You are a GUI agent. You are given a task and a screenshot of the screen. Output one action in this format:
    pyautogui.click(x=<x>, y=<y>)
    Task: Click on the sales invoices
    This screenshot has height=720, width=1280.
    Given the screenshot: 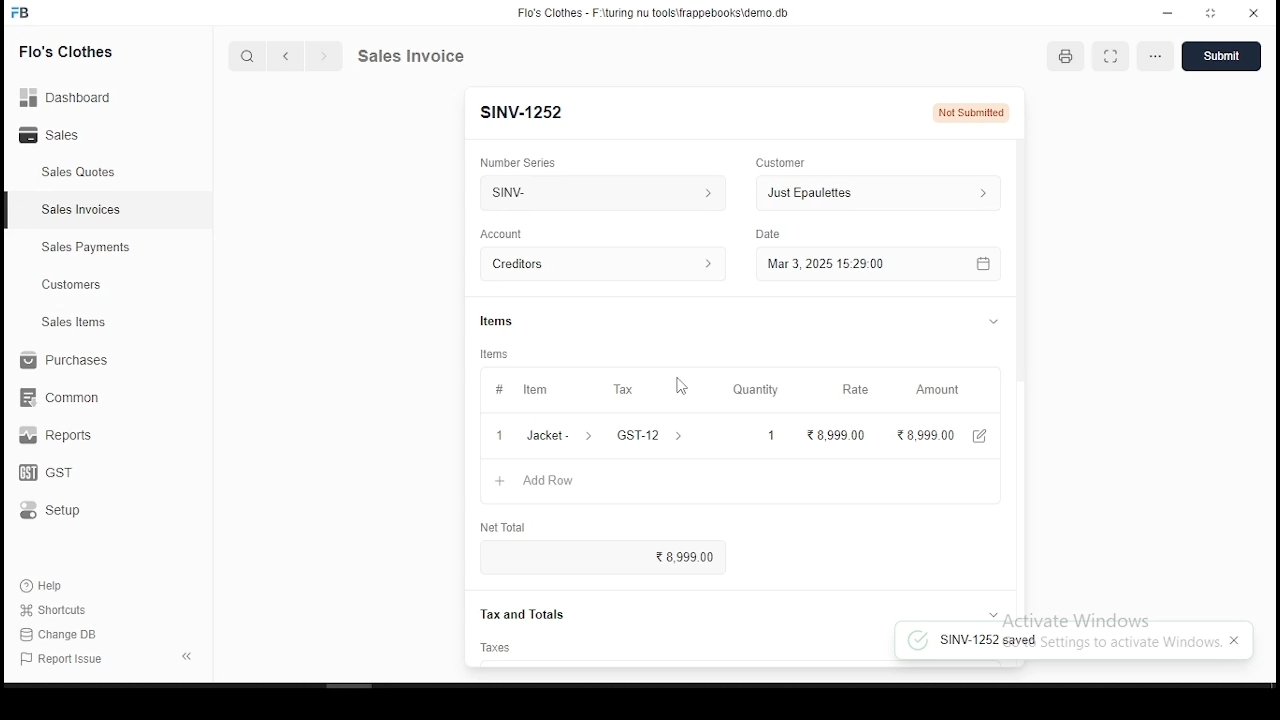 What is the action you would take?
    pyautogui.click(x=86, y=211)
    